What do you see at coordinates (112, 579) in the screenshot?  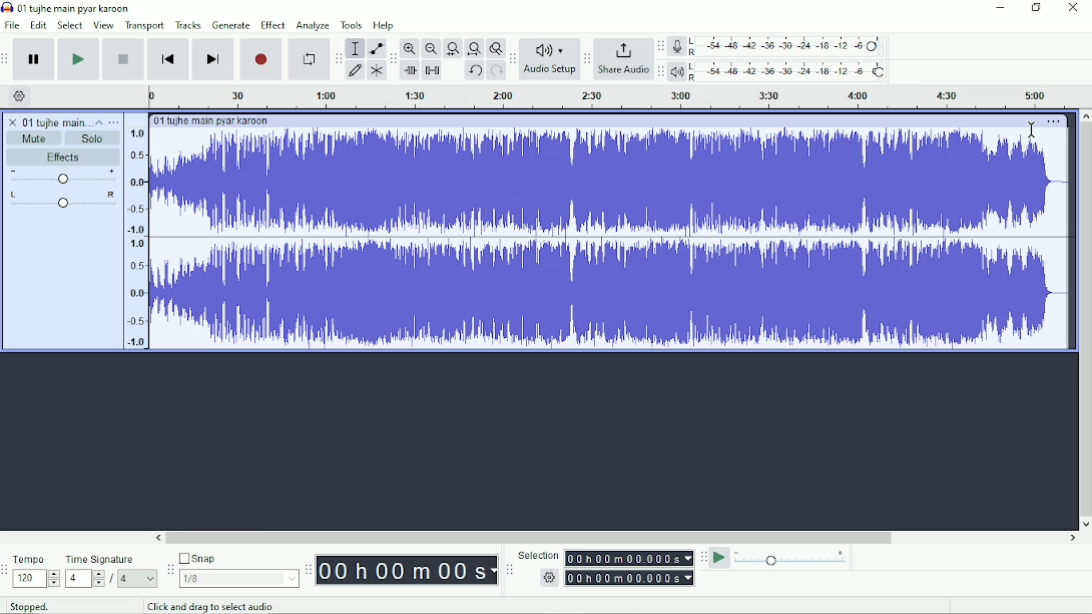 I see `/` at bounding box center [112, 579].